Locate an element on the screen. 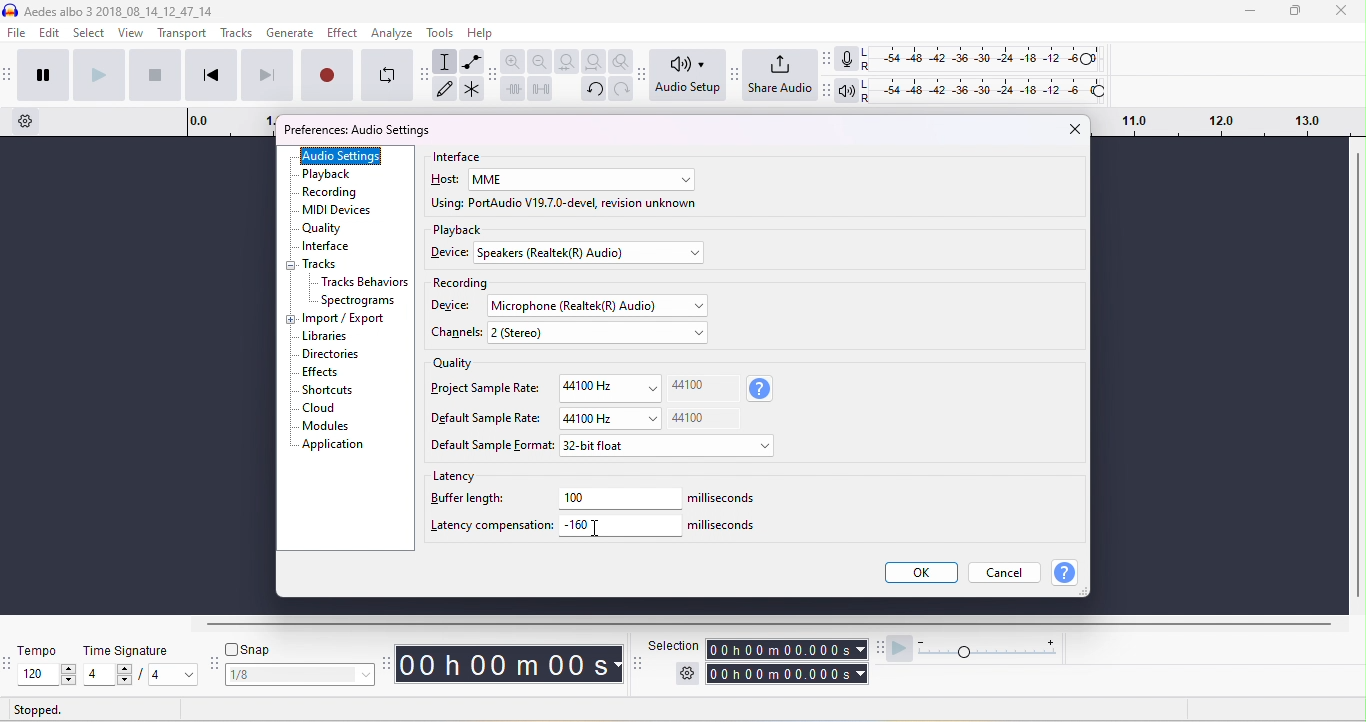 The width and height of the screenshot is (1366, 722). latency compensation is located at coordinates (491, 525).